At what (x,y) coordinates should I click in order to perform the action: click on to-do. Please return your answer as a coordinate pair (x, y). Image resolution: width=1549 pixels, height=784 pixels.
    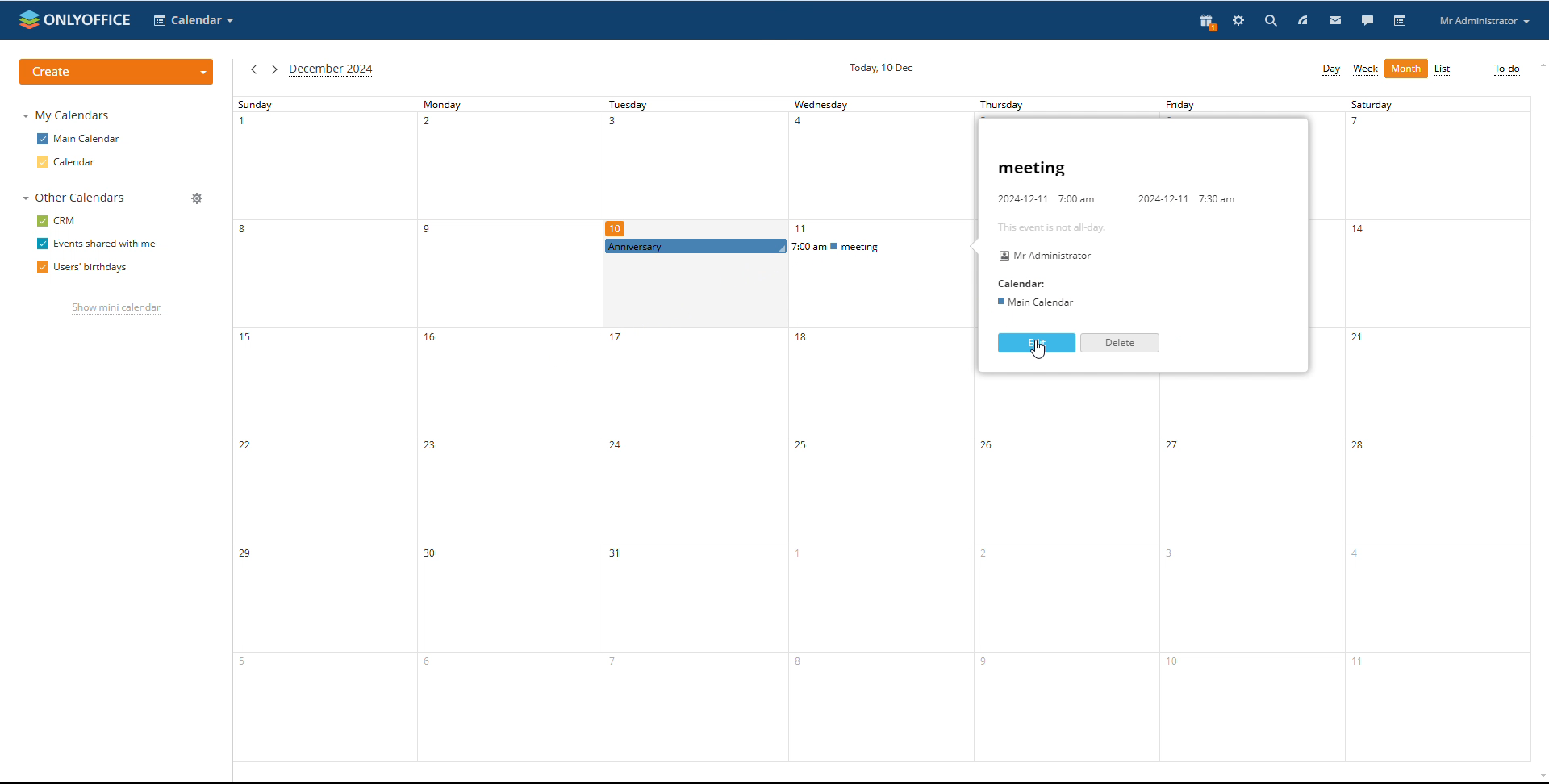
    Looking at the image, I should click on (1507, 69).